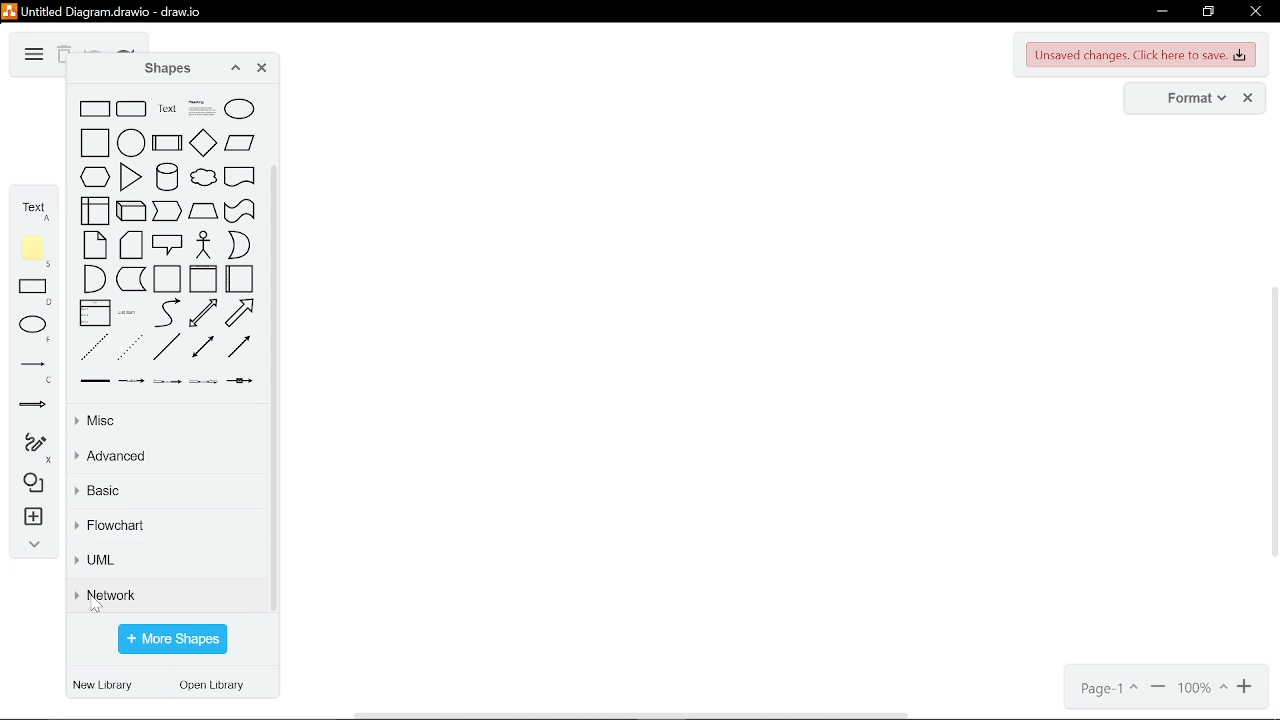 The image size is (1280, 720). Describe the element at coordinates (131, 177) in the screenshot. I see `triangle` at that location.